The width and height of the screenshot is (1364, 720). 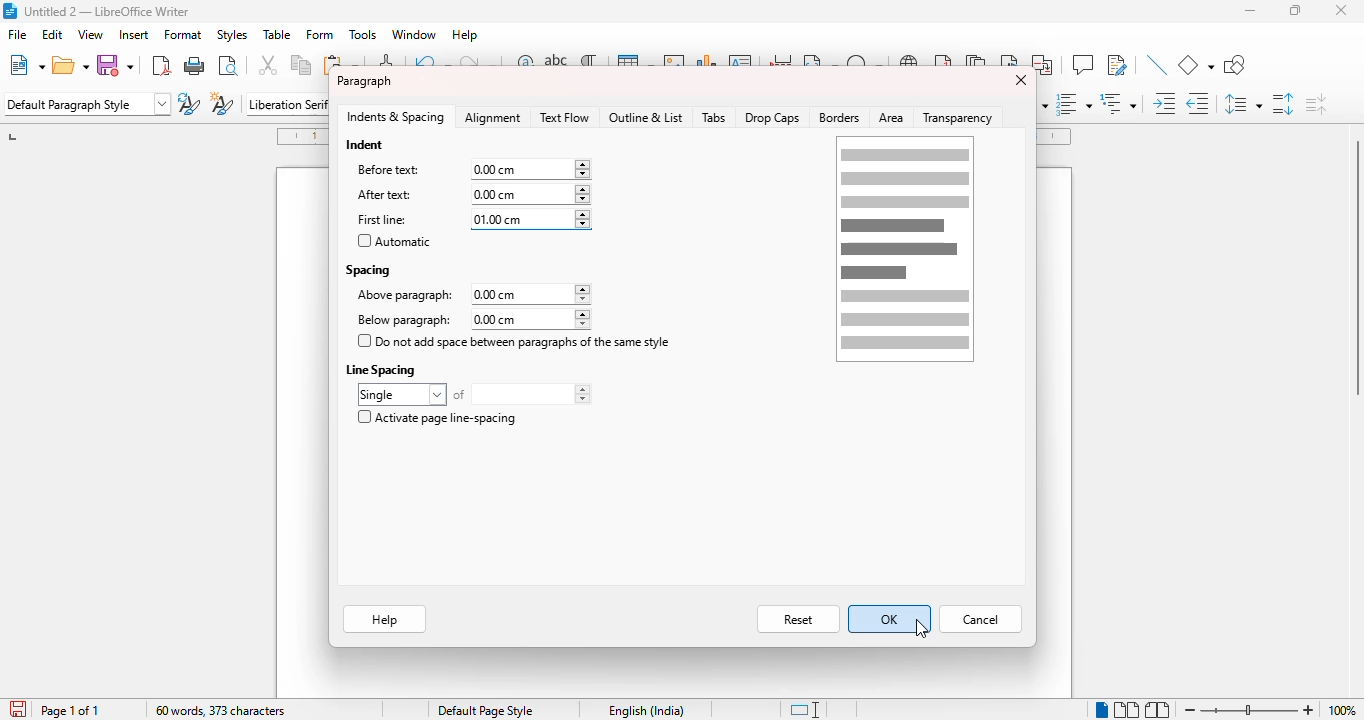 I want to click on logo, so click(x=9, y=11).